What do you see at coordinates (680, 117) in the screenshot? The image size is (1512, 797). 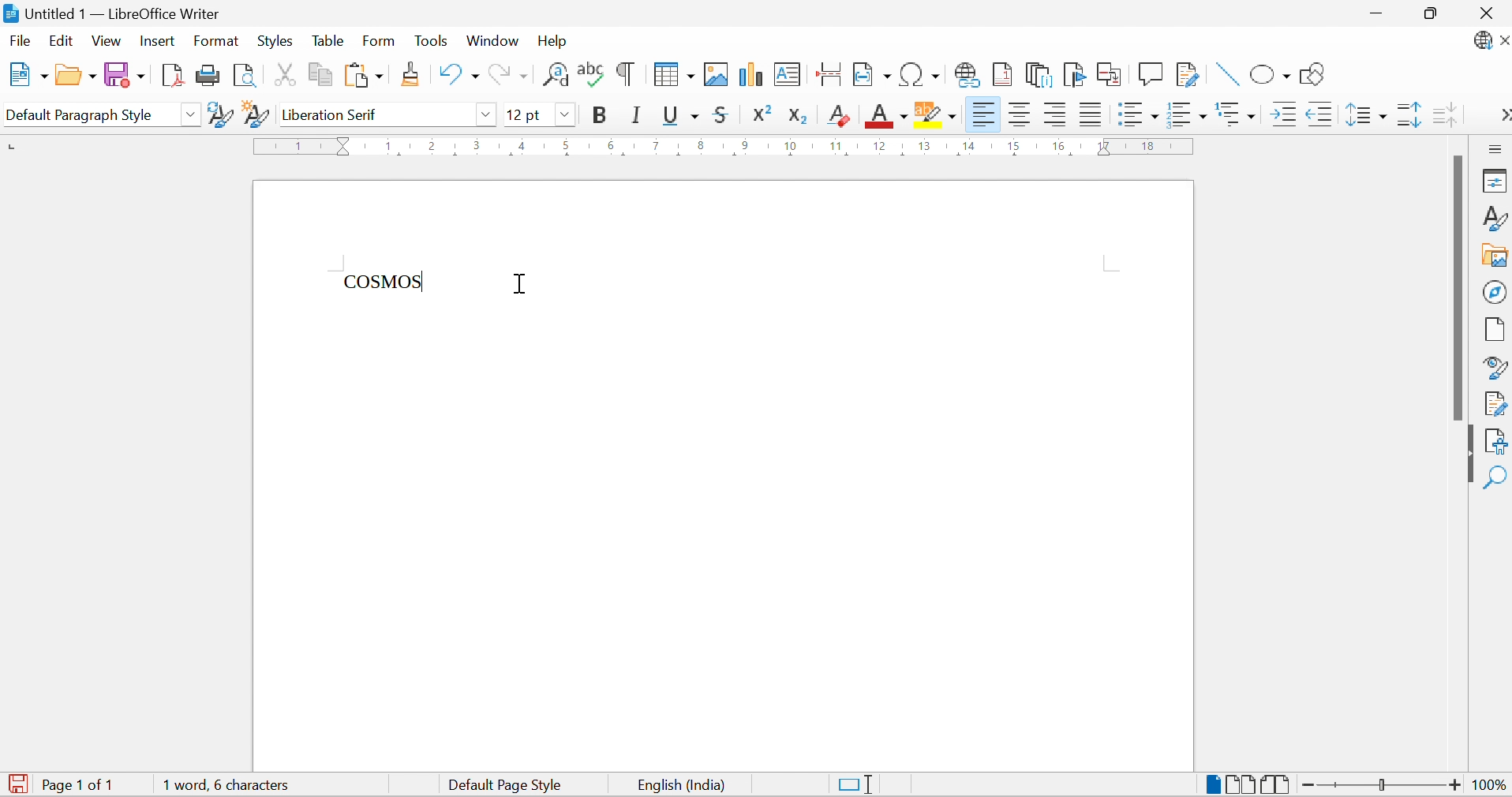 I see `Underline` at bounding box center [680, 117].